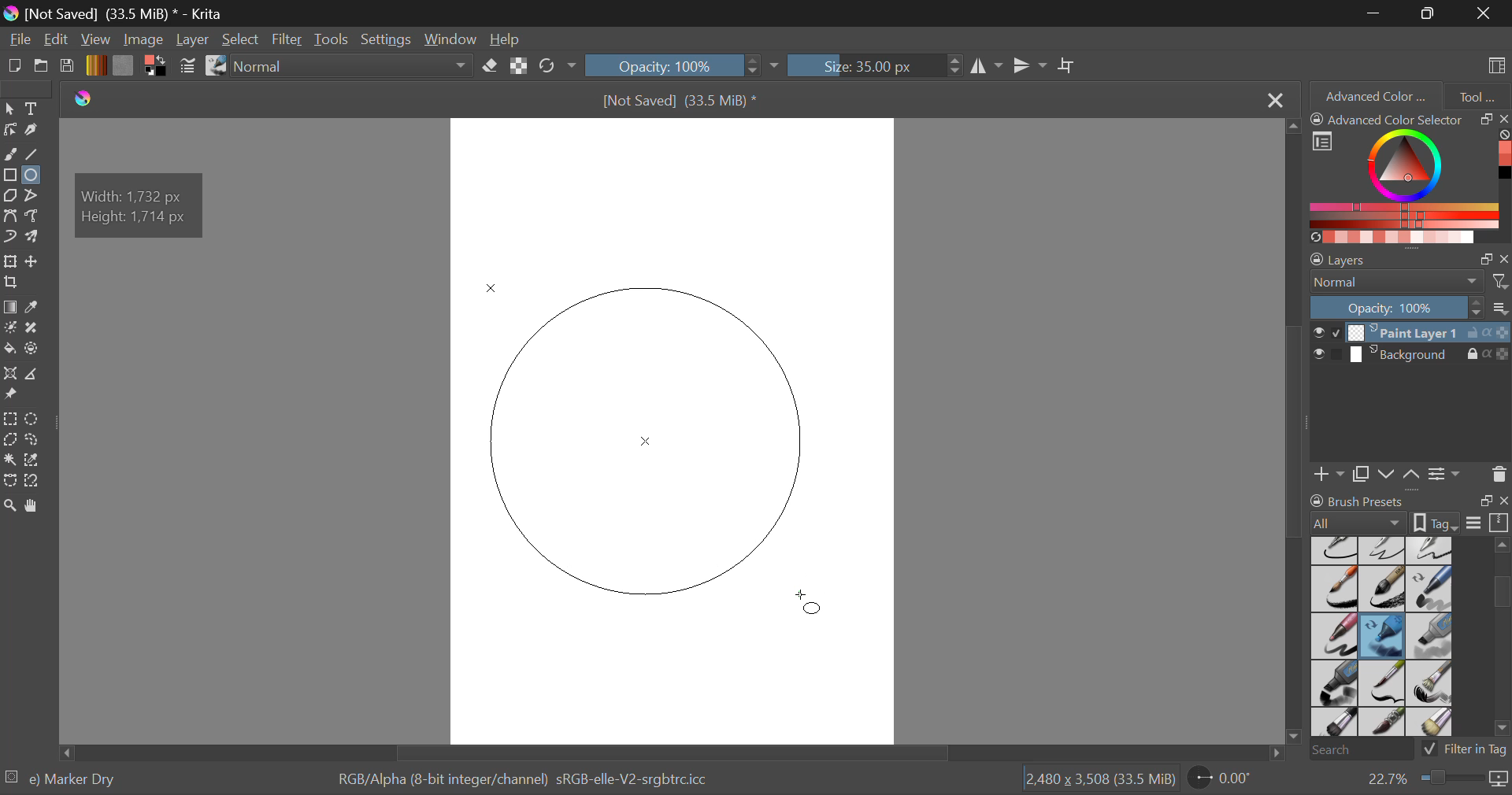 Image resolution: width=1512 pixels, height=795 pixels. Describe the element at coordinates (68, 67) in the screenshot. I see `Save` at that location.